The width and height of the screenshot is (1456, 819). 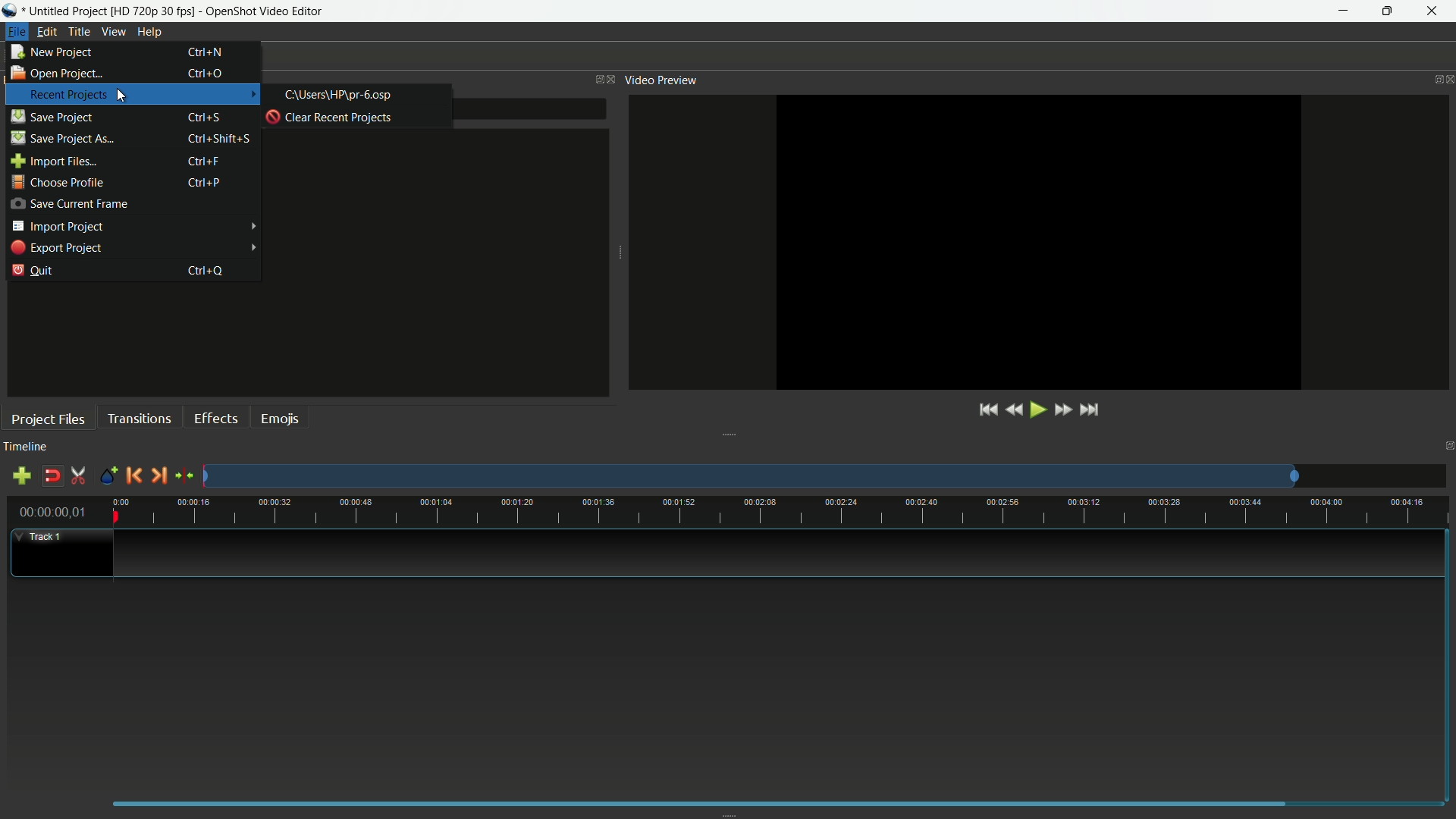 I want to click on app icon, so click(x=11, y=11).